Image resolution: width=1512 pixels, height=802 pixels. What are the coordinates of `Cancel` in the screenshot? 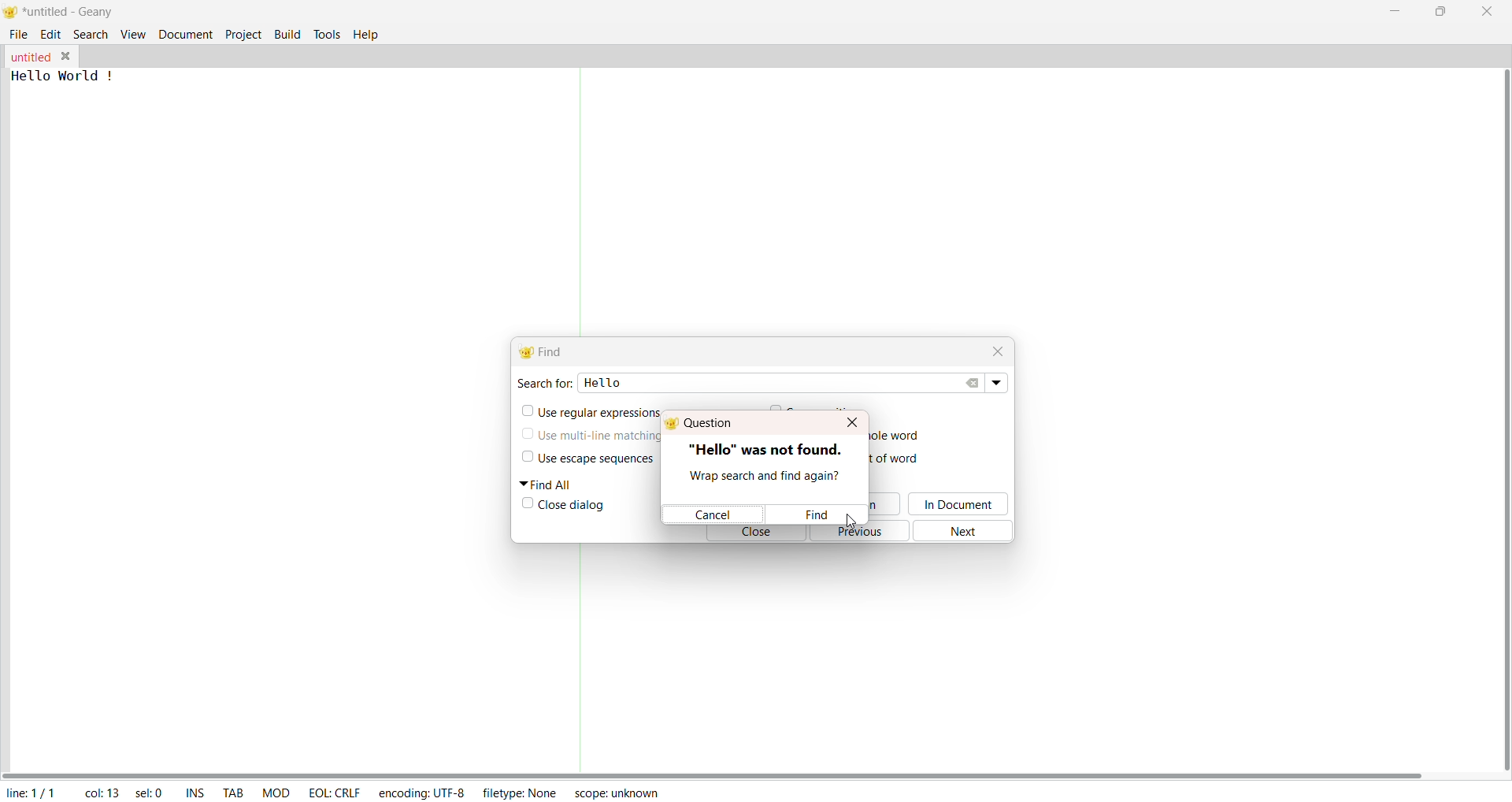 It's located at (713, 514).